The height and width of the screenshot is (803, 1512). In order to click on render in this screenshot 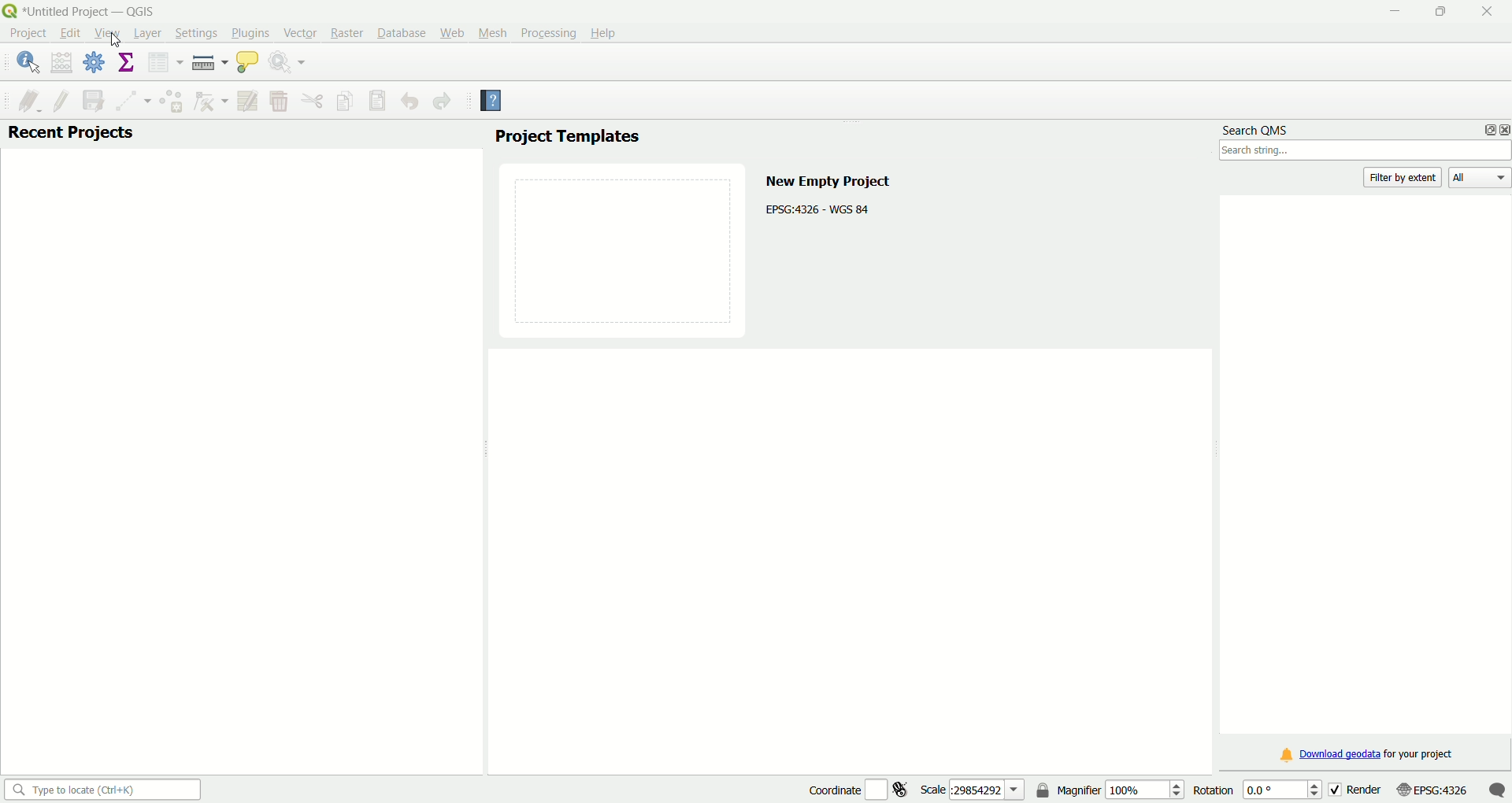, I will do `click(1354, 788)`.